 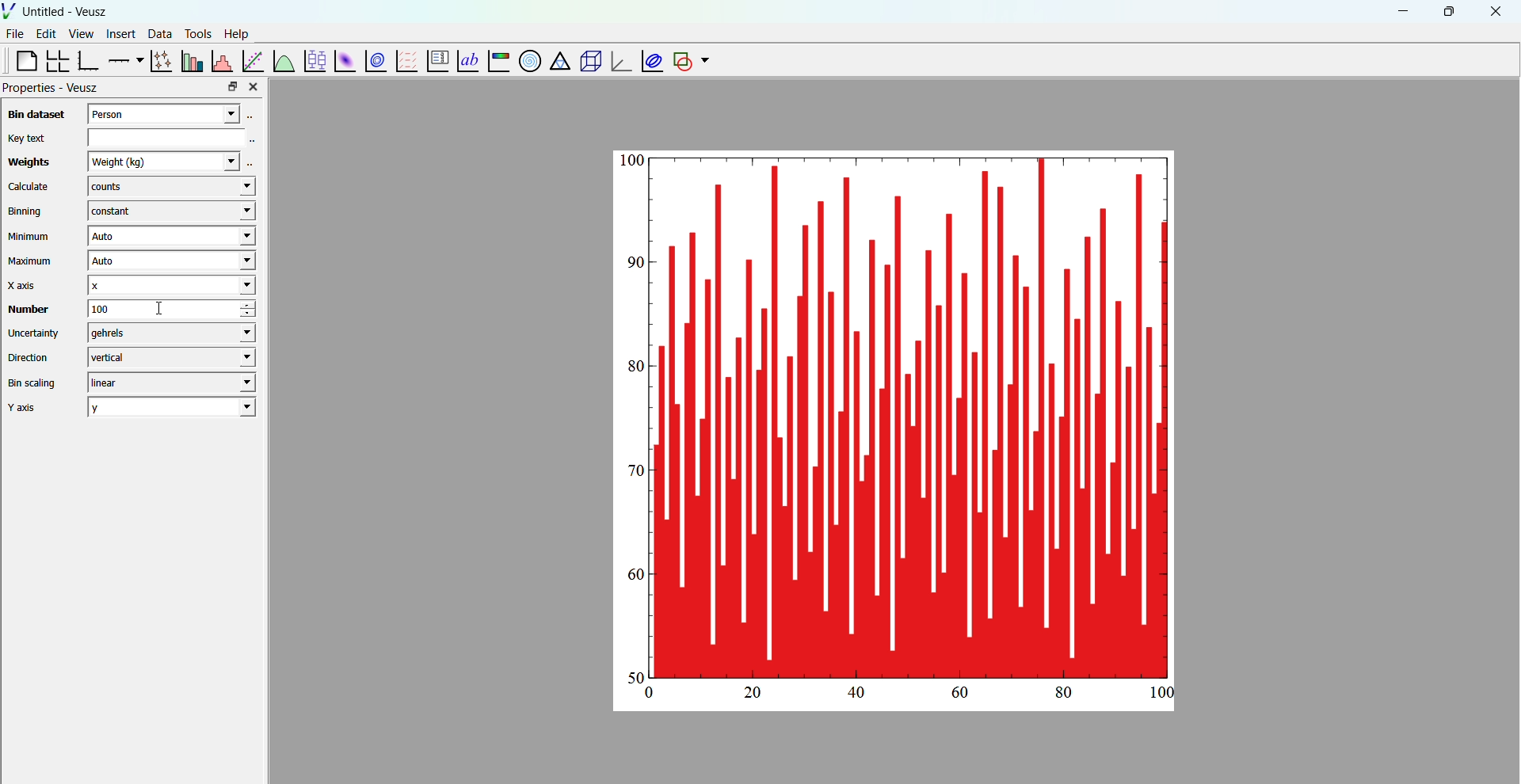 I want to click on Y axis, so click(x=28, y=408).